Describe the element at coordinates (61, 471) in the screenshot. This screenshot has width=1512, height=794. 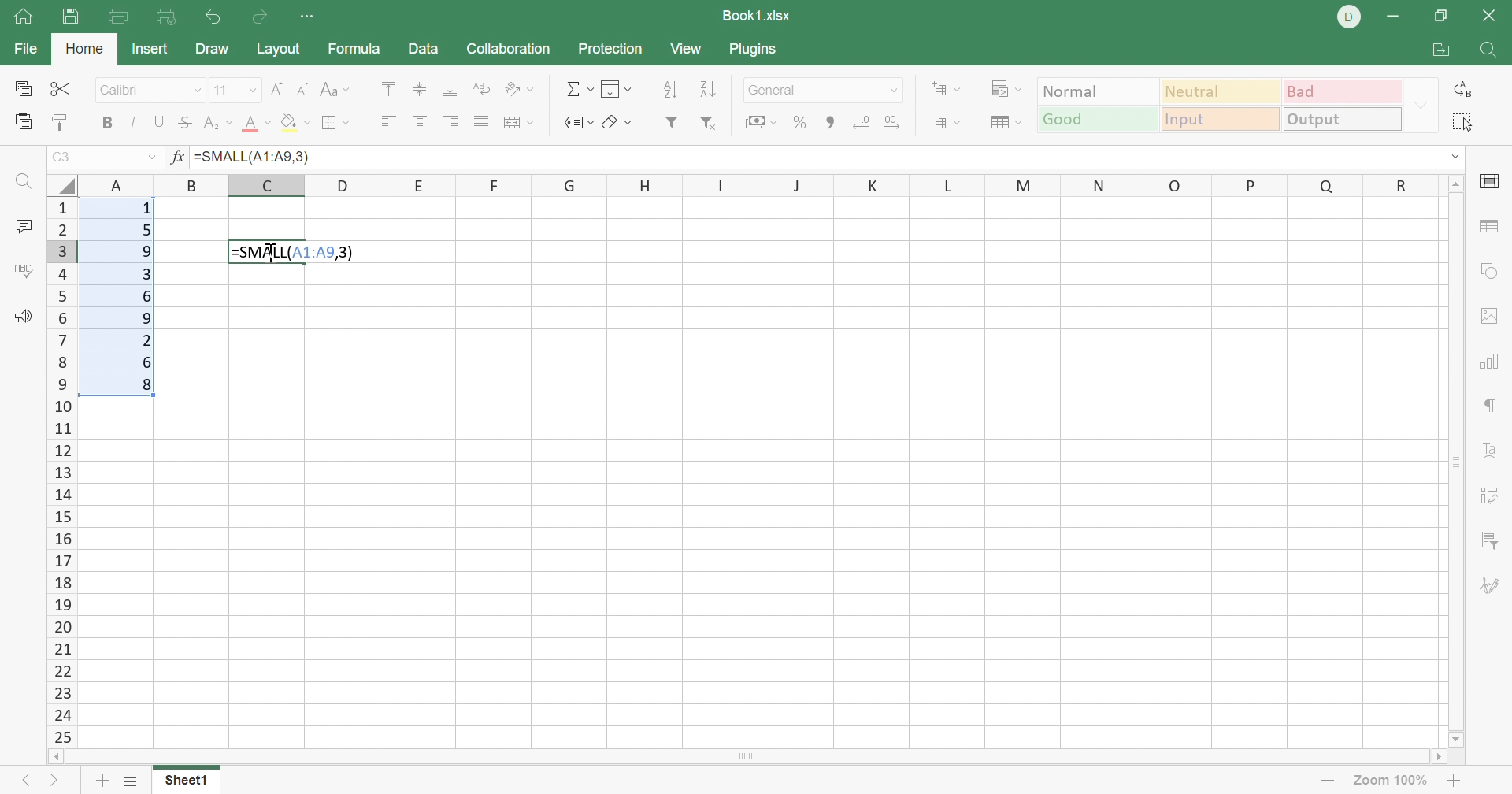
I see `Row names` at that location.